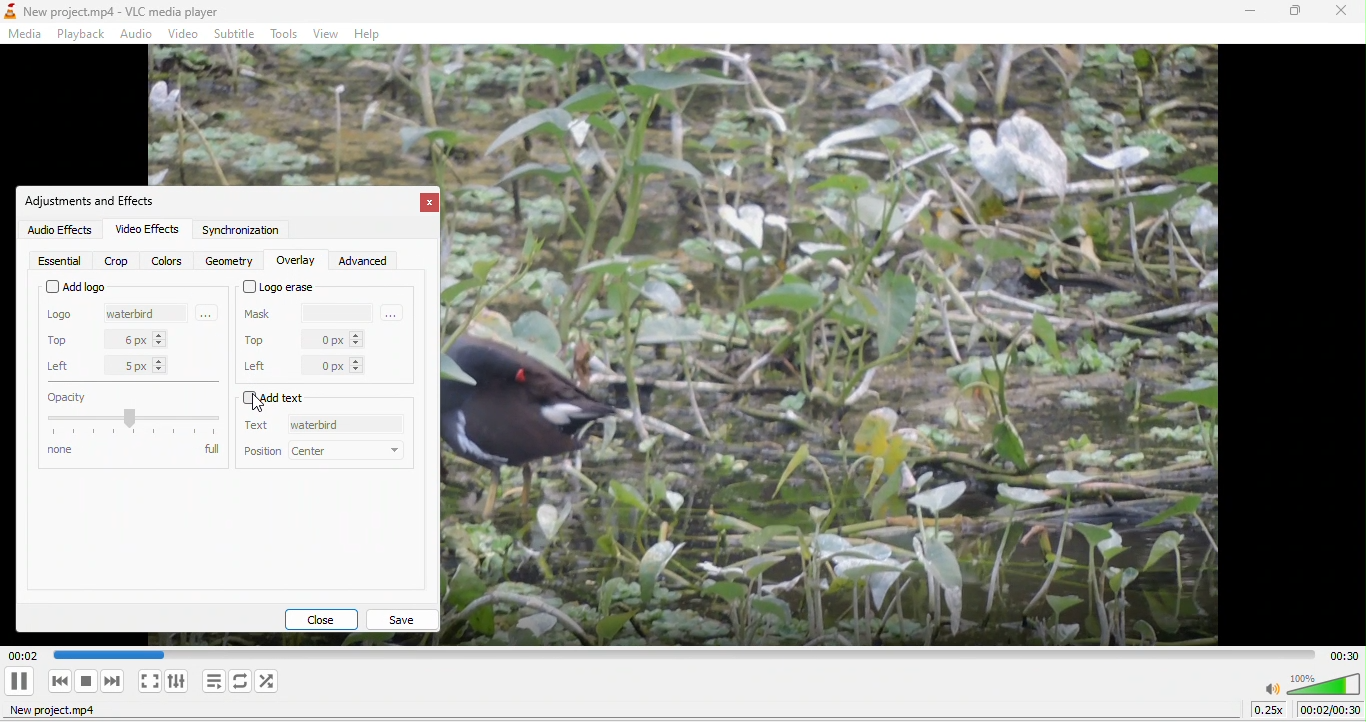 The image size is (1366, 722). I want to click on top, so click(63, 340).